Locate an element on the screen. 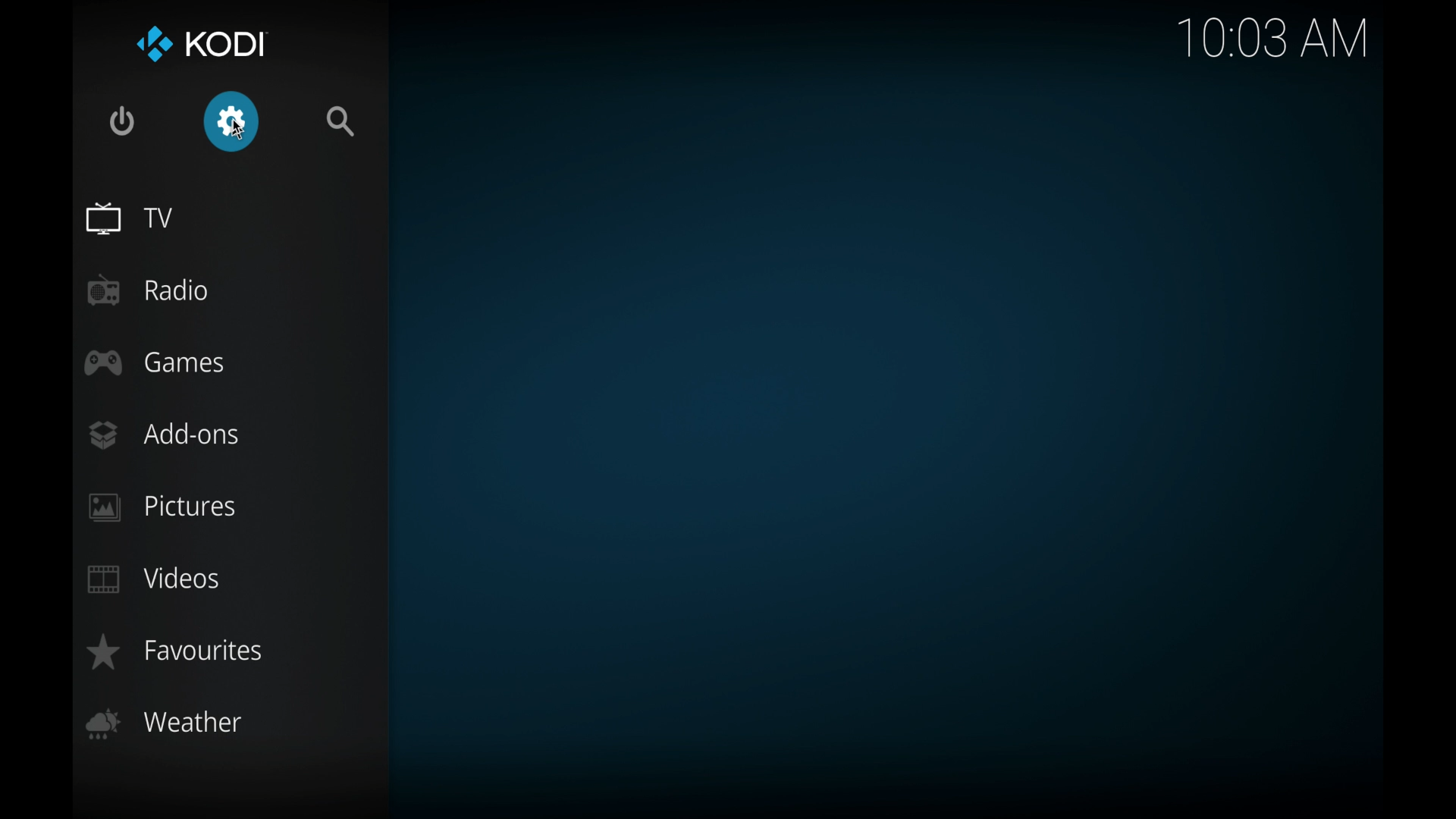  radio is located at coordinates (149, 290).